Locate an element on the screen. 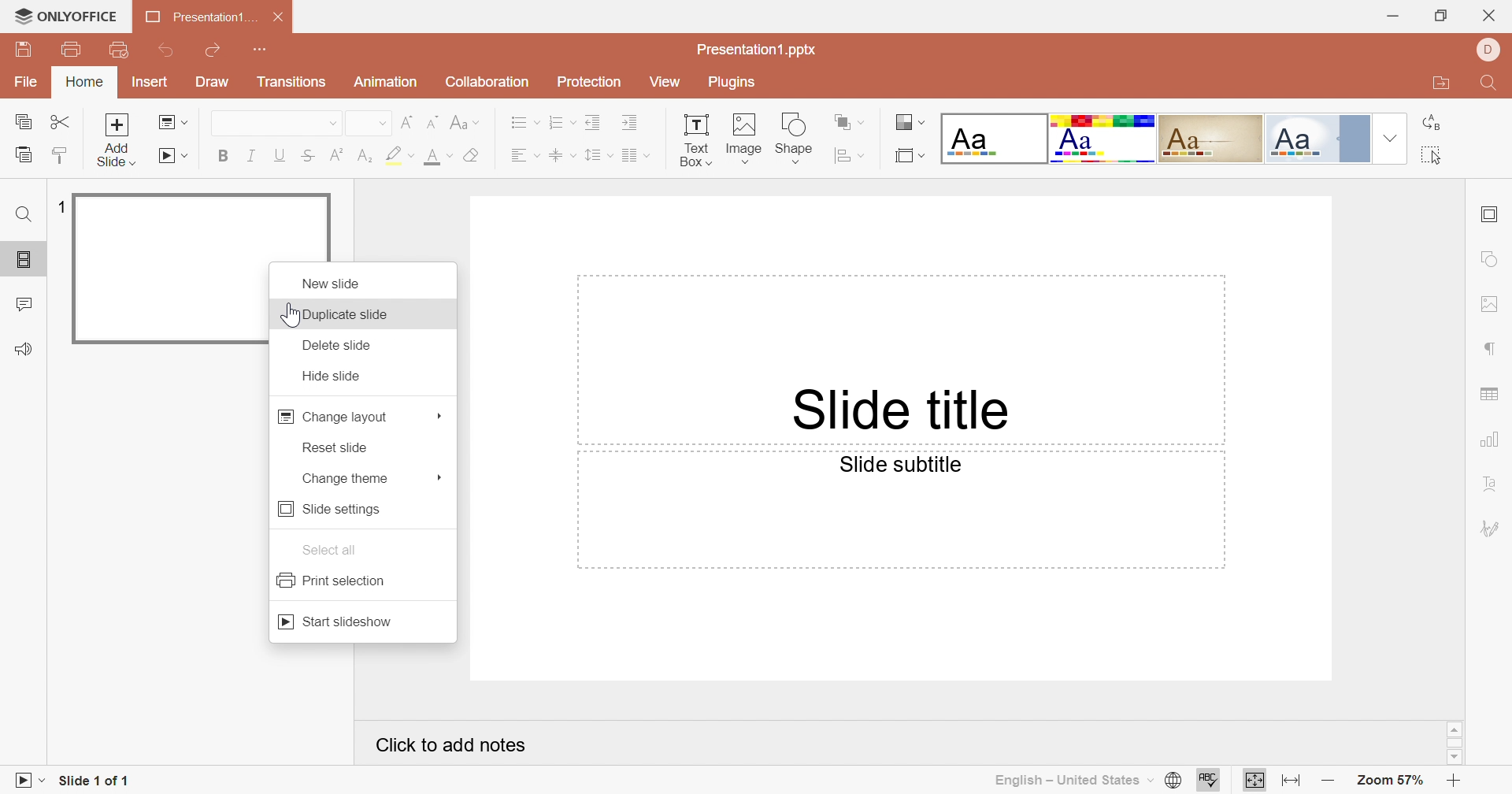 The image size is (1512, 794). Strikethrough is located at coordinates (310, 152).